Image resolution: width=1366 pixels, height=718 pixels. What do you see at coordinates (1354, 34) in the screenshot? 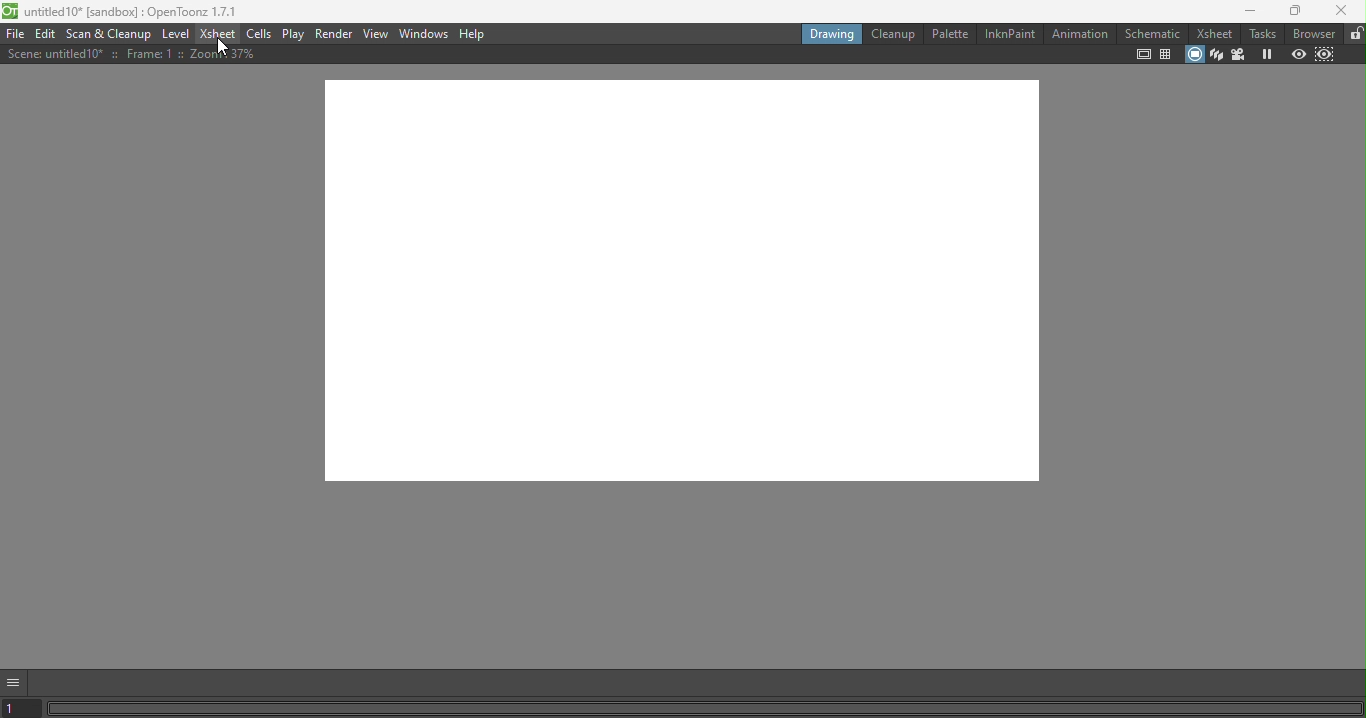
I see `Lock rooms tab` at bounding box center [1354, 34].